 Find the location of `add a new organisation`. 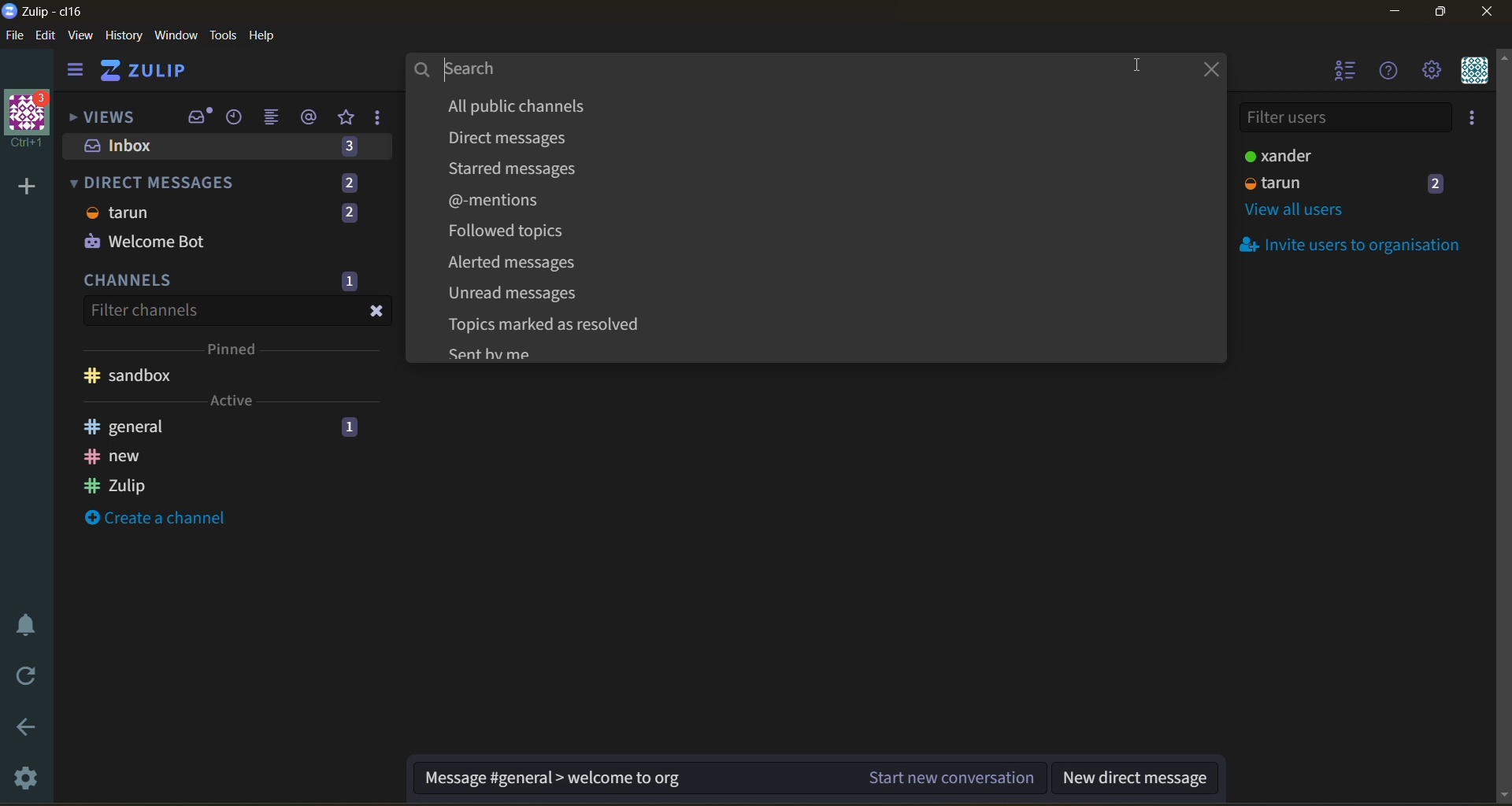

add a new organisation is located at coordinates (28, 186).